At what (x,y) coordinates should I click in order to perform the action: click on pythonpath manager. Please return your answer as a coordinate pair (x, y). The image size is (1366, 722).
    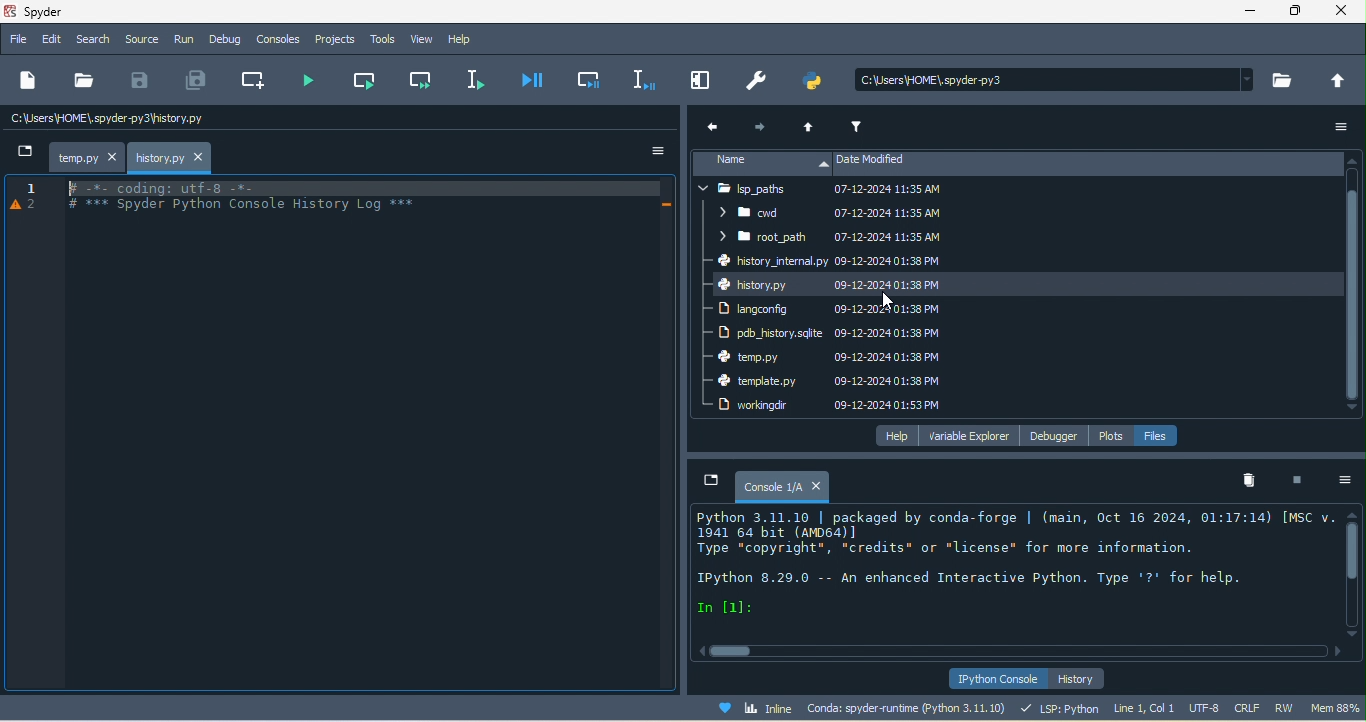
    Looking at the image, I should click on (818, 80).